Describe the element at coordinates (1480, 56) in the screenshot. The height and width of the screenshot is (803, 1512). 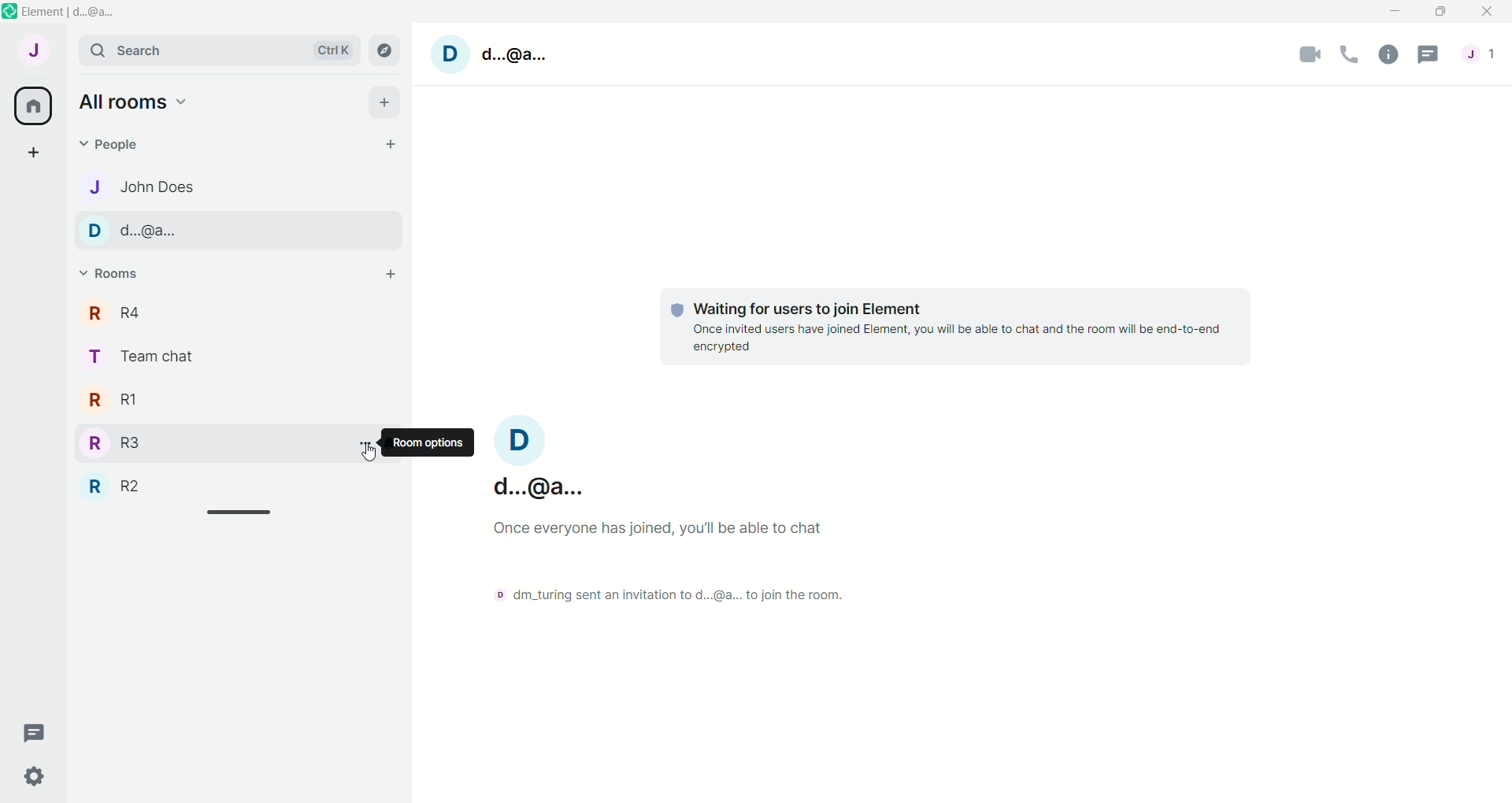
I see `account menu` at that location.